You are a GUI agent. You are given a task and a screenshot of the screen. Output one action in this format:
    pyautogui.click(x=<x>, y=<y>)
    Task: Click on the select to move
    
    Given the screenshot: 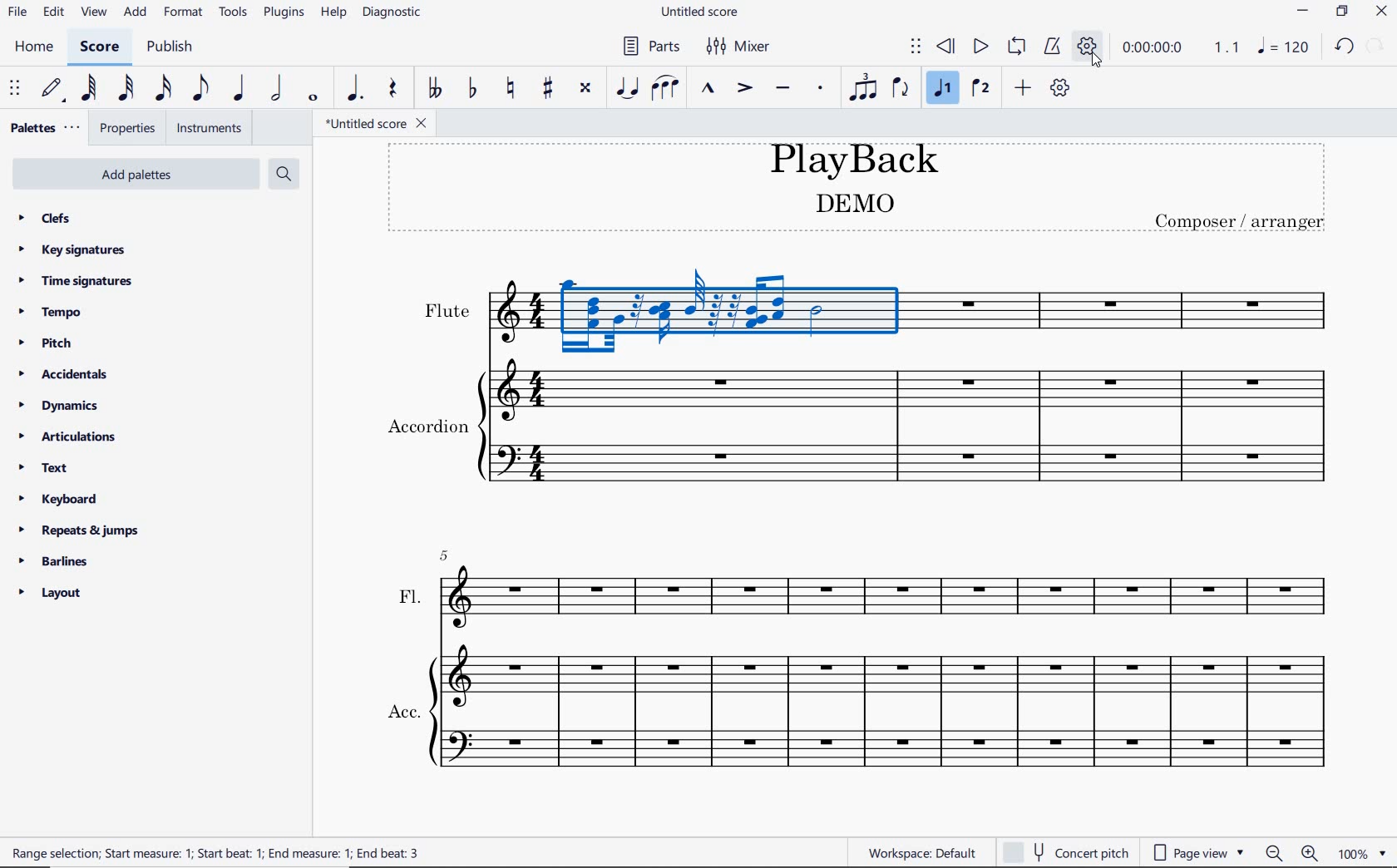 What is the action you would take?
    pyautogui.click(x=16, y=89)
    